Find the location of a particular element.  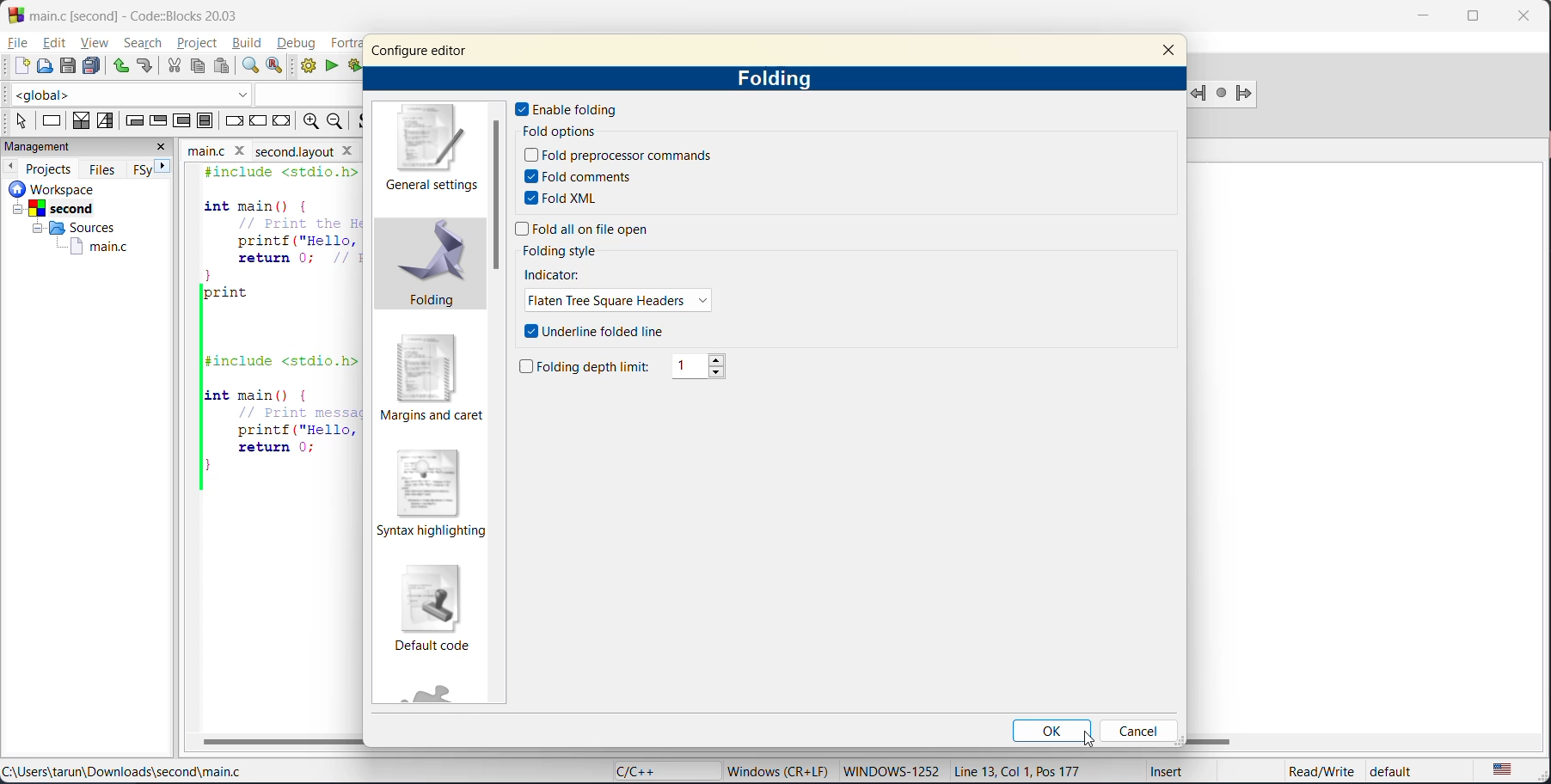

copy is located at coordinates (199, 67).